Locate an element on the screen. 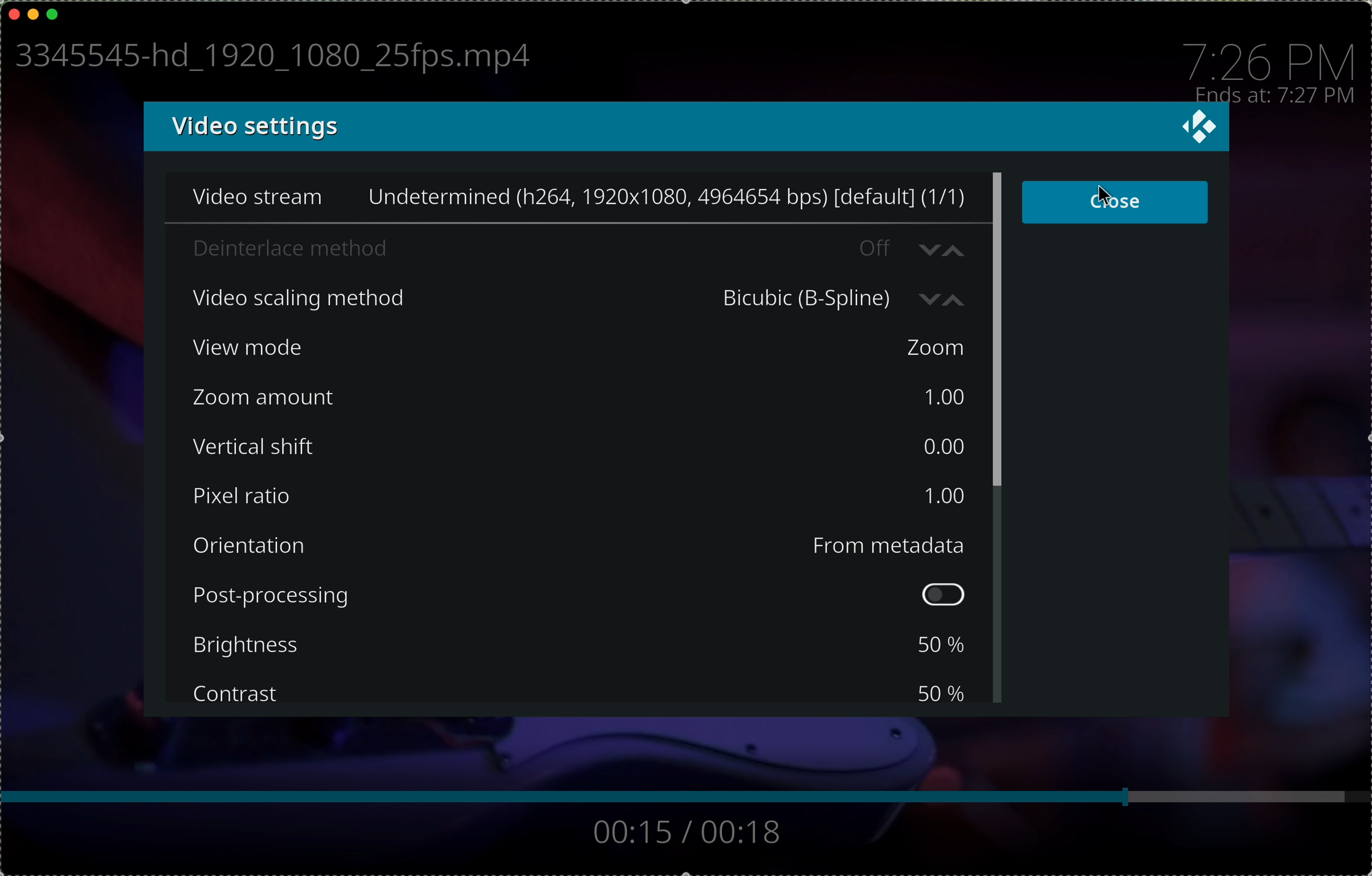 This screenshot has height=876, width=1372. minimise is located at coordinates (33, 13).